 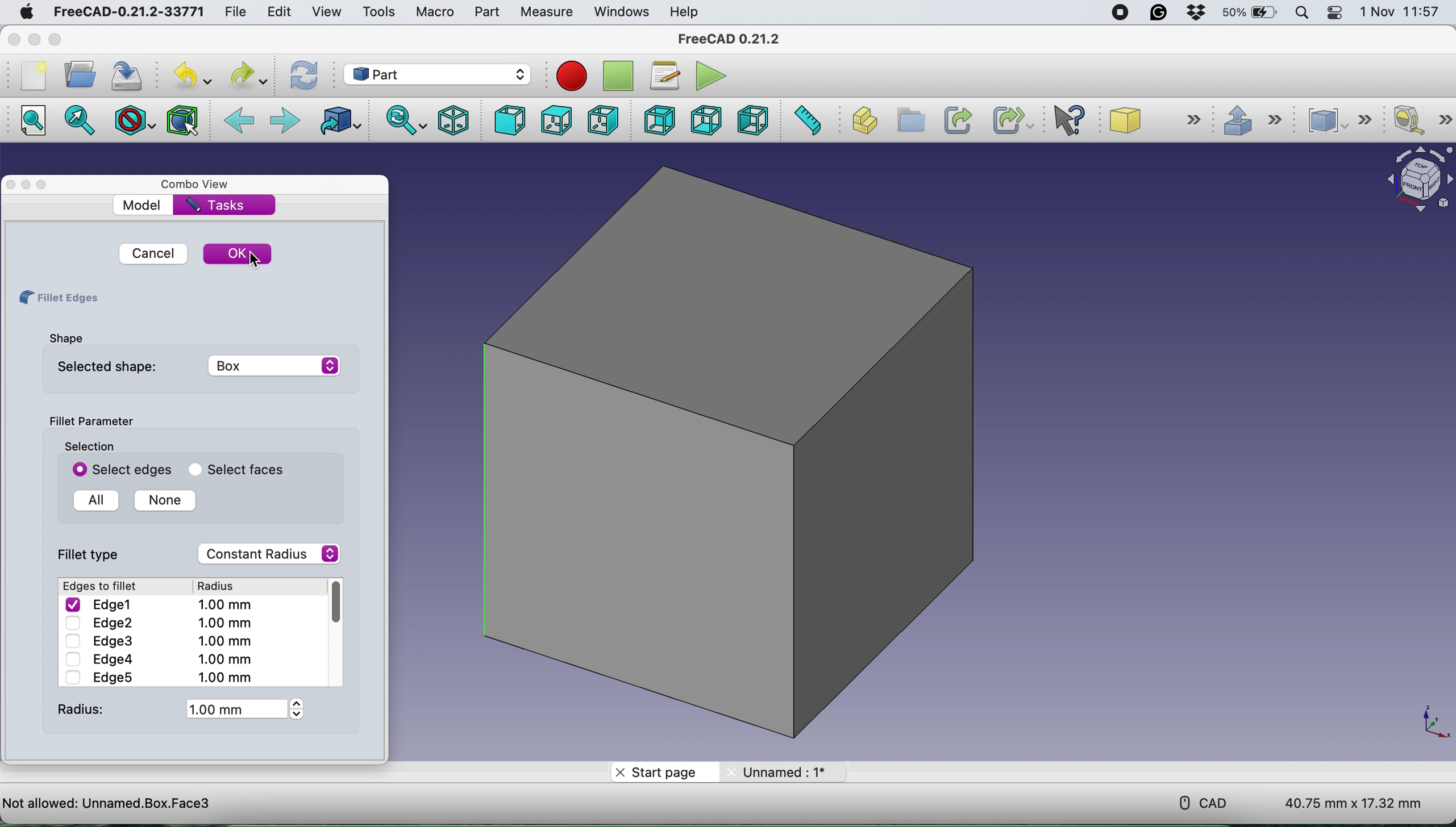 What do you see at coordinates (1013, 119) in the screenshot?
I see `make sub link` at bounding box center [1013, 119].